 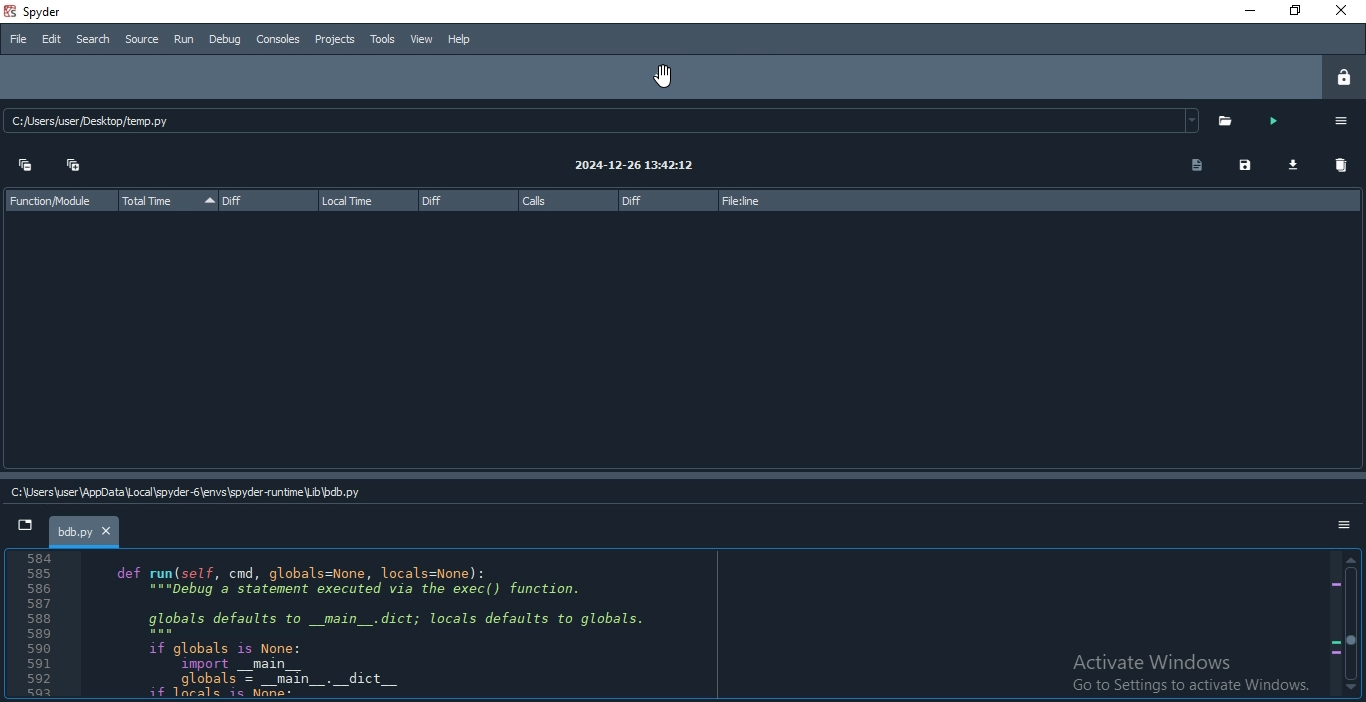 I want to click on local time, so click(x=369, y=200).